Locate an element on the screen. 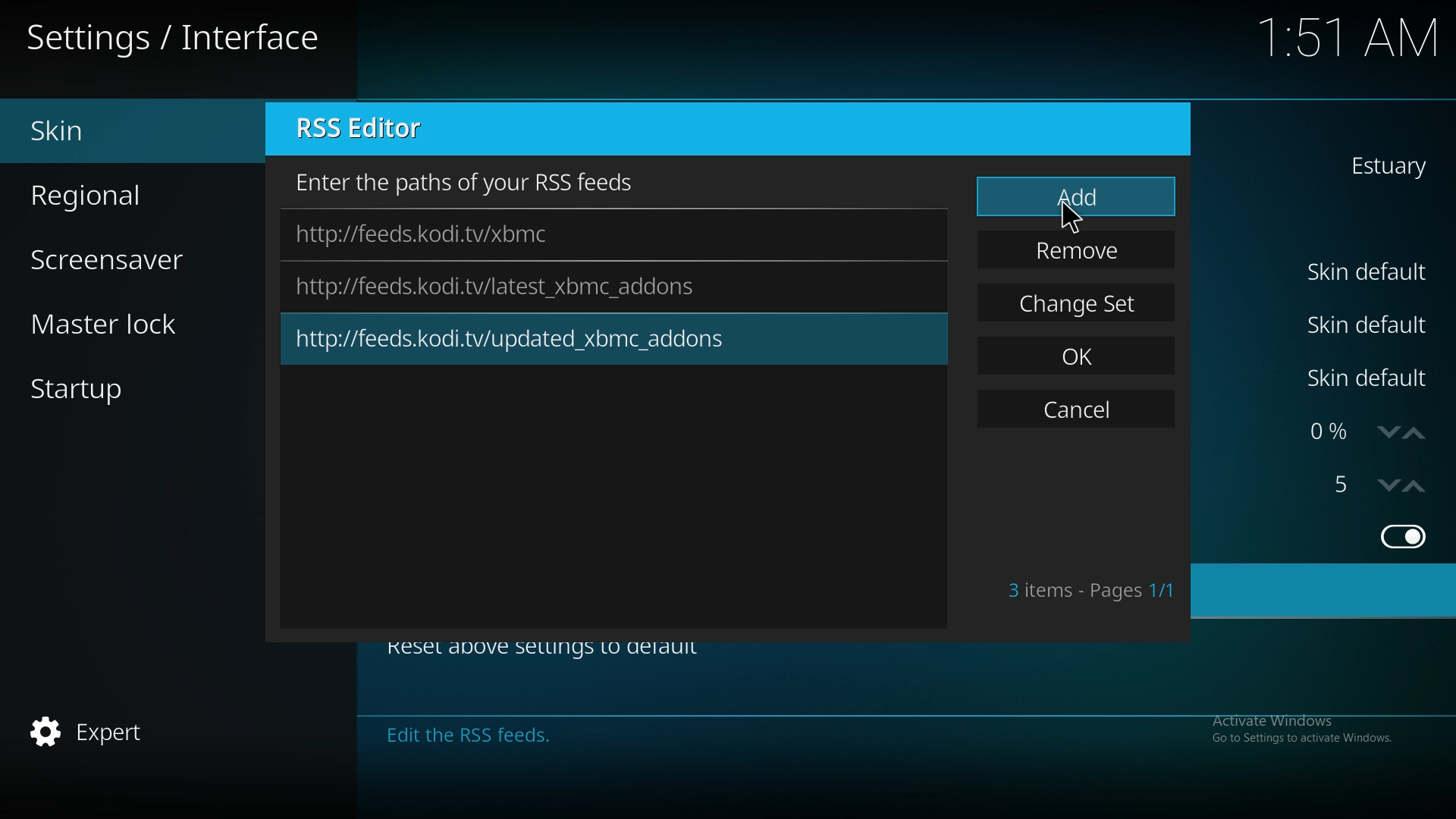  Edit the RSS feeds. is located at coordinates (628, 733).